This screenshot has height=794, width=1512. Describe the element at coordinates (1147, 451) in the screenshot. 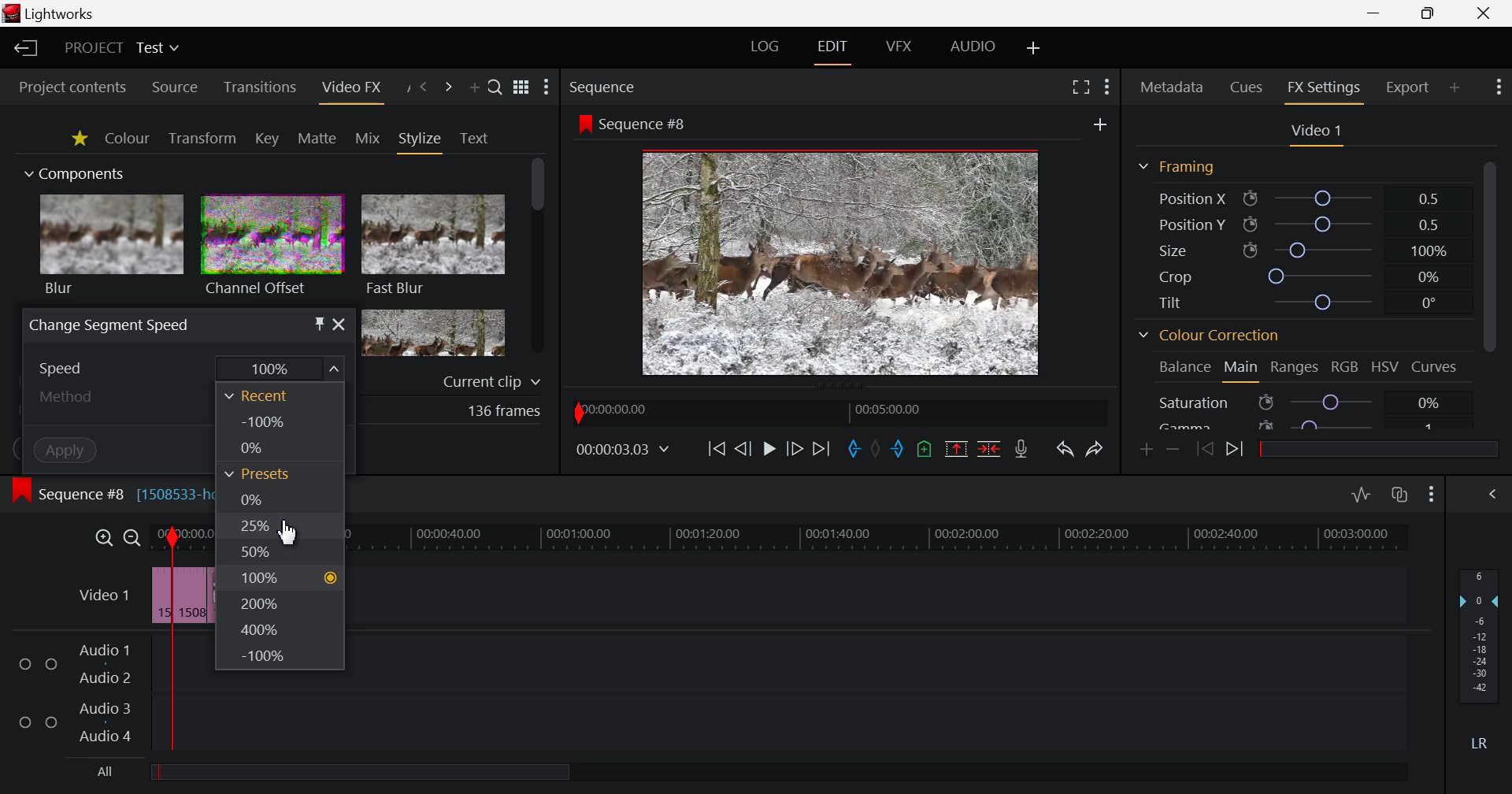

I see `Add keyframe` at that location.